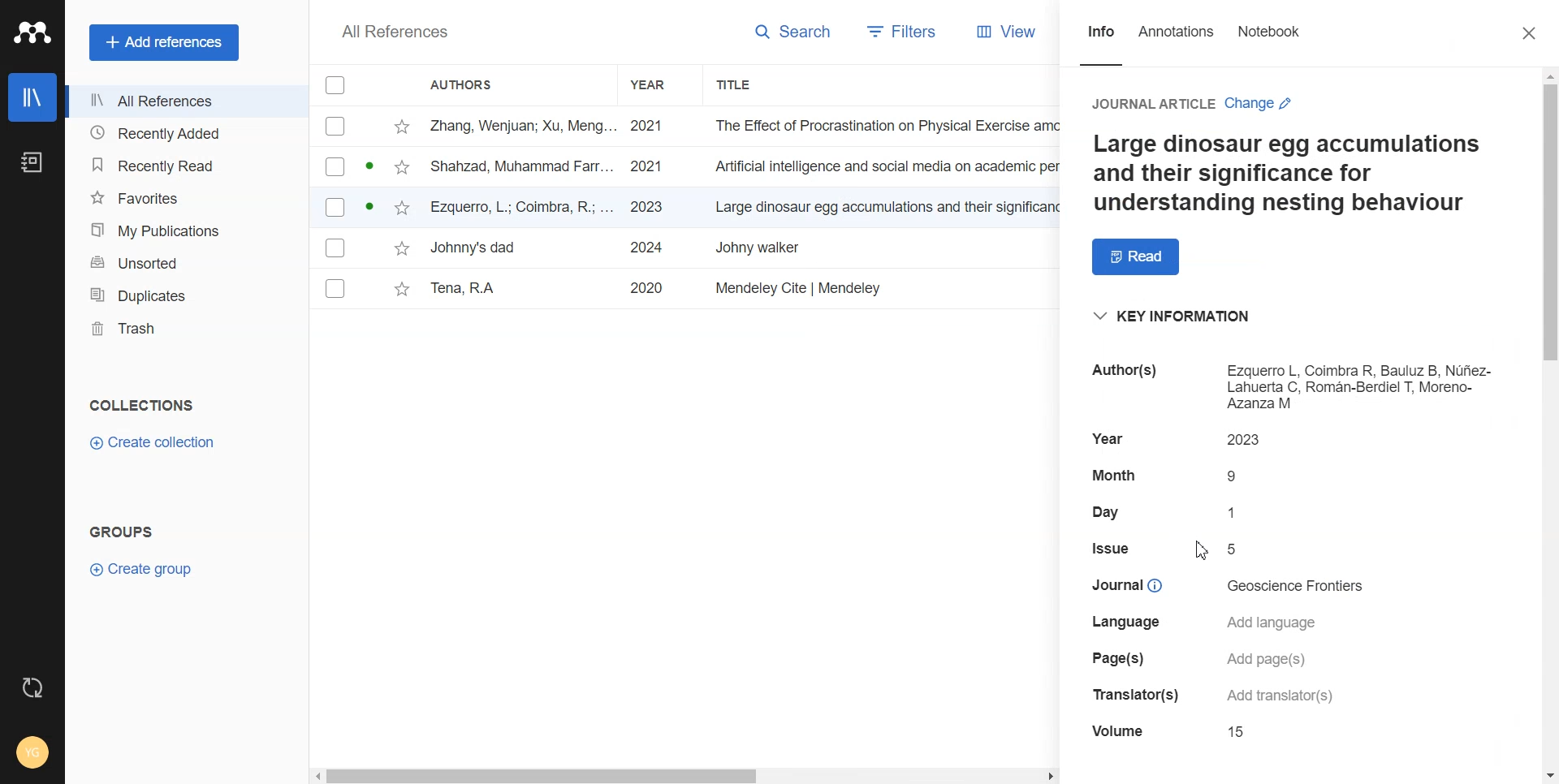  What do you see at coordinates (1132, 696) in the screenshot?
I see `details` at bounding box center [1132, 696].